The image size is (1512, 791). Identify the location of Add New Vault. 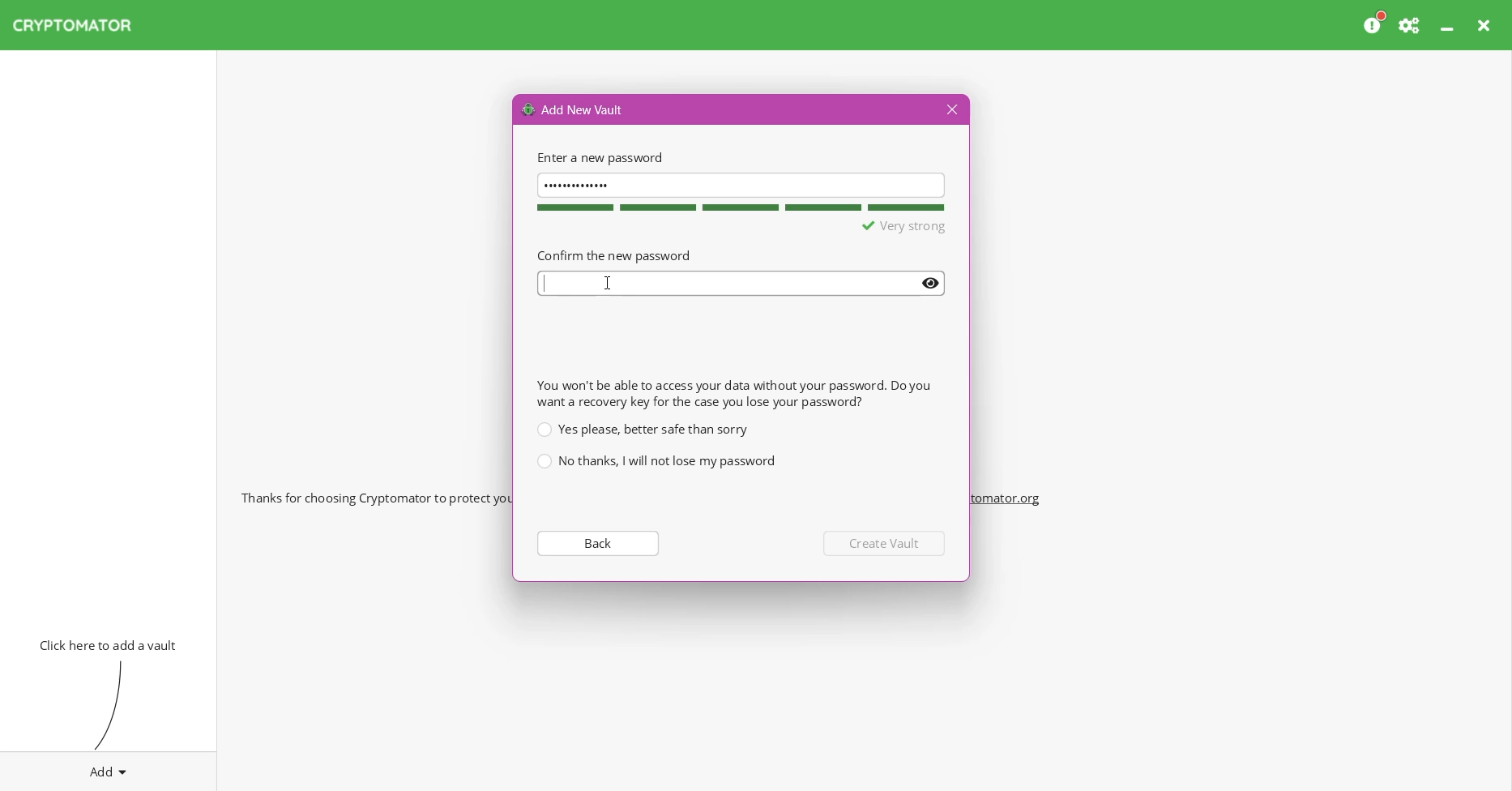
(574, 109).